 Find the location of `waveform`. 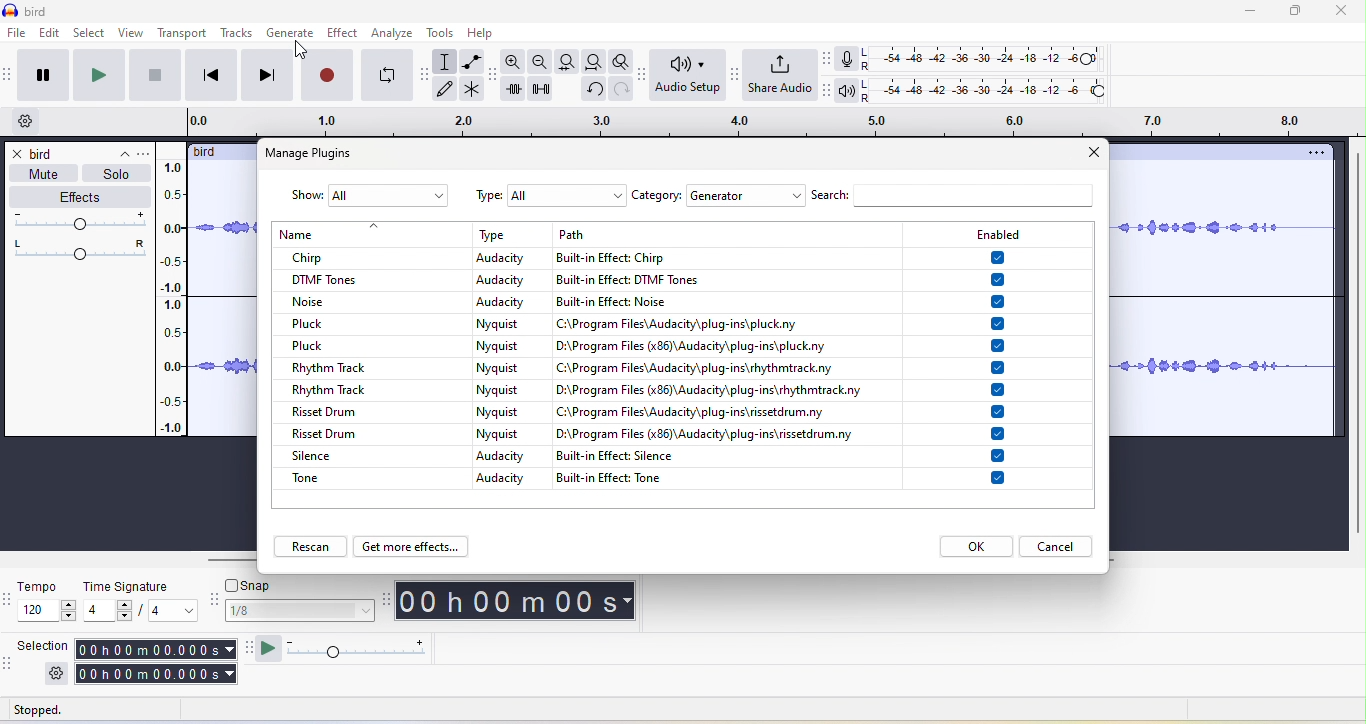

waveform is located at coordinates (1224, 303).